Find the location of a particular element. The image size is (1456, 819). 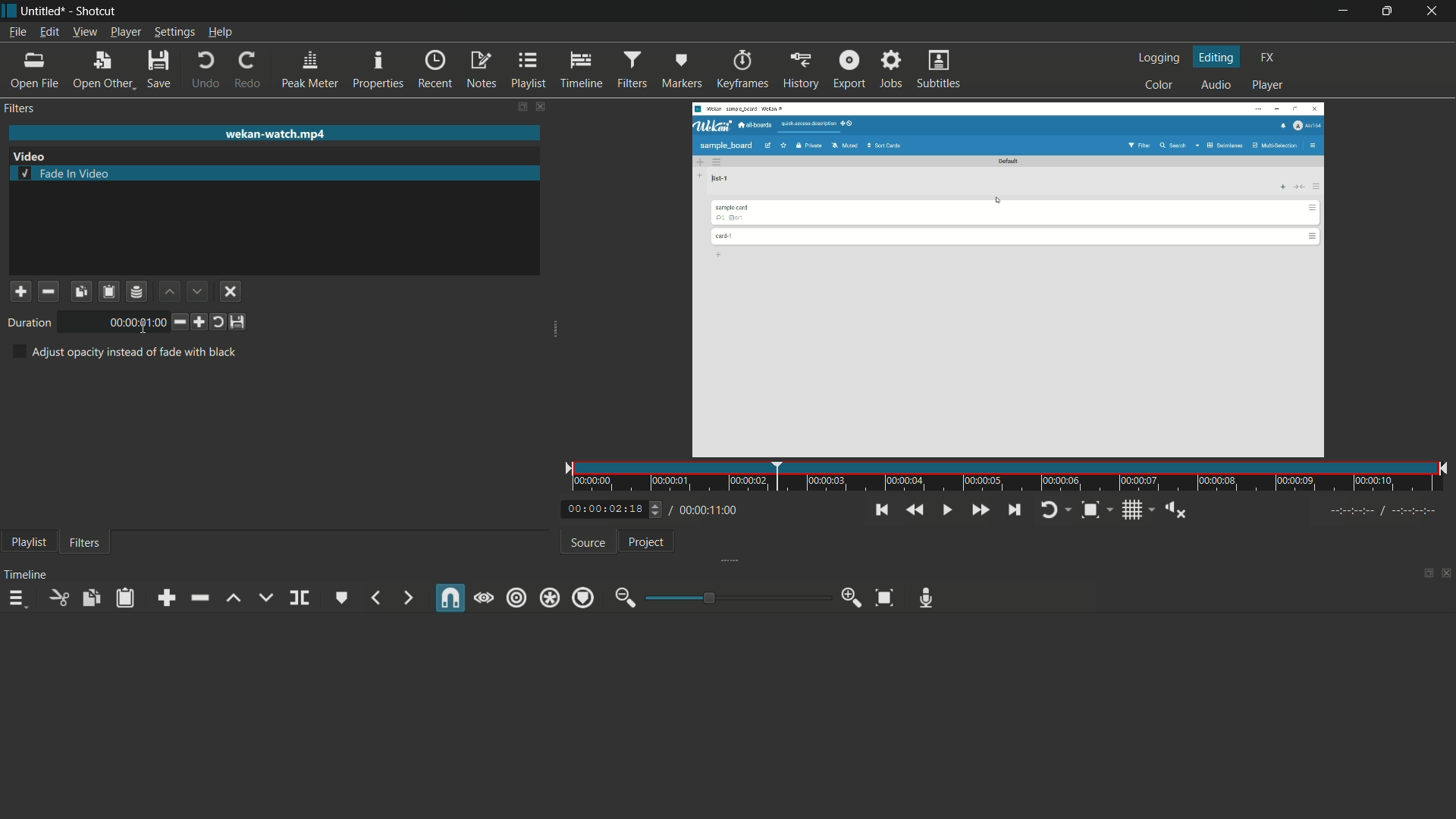

zoom in is located at coordinates (852, 598).